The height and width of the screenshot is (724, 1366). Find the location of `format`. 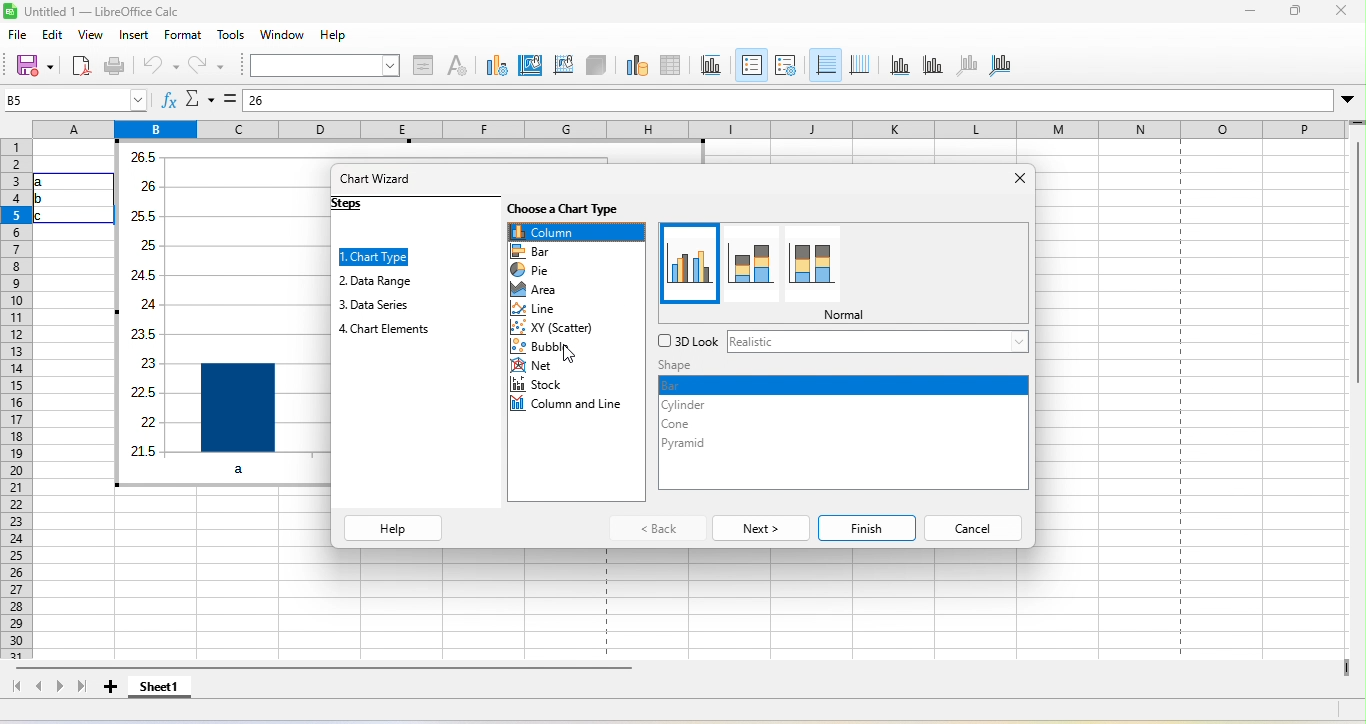

format is located at coordinates (179, 36).